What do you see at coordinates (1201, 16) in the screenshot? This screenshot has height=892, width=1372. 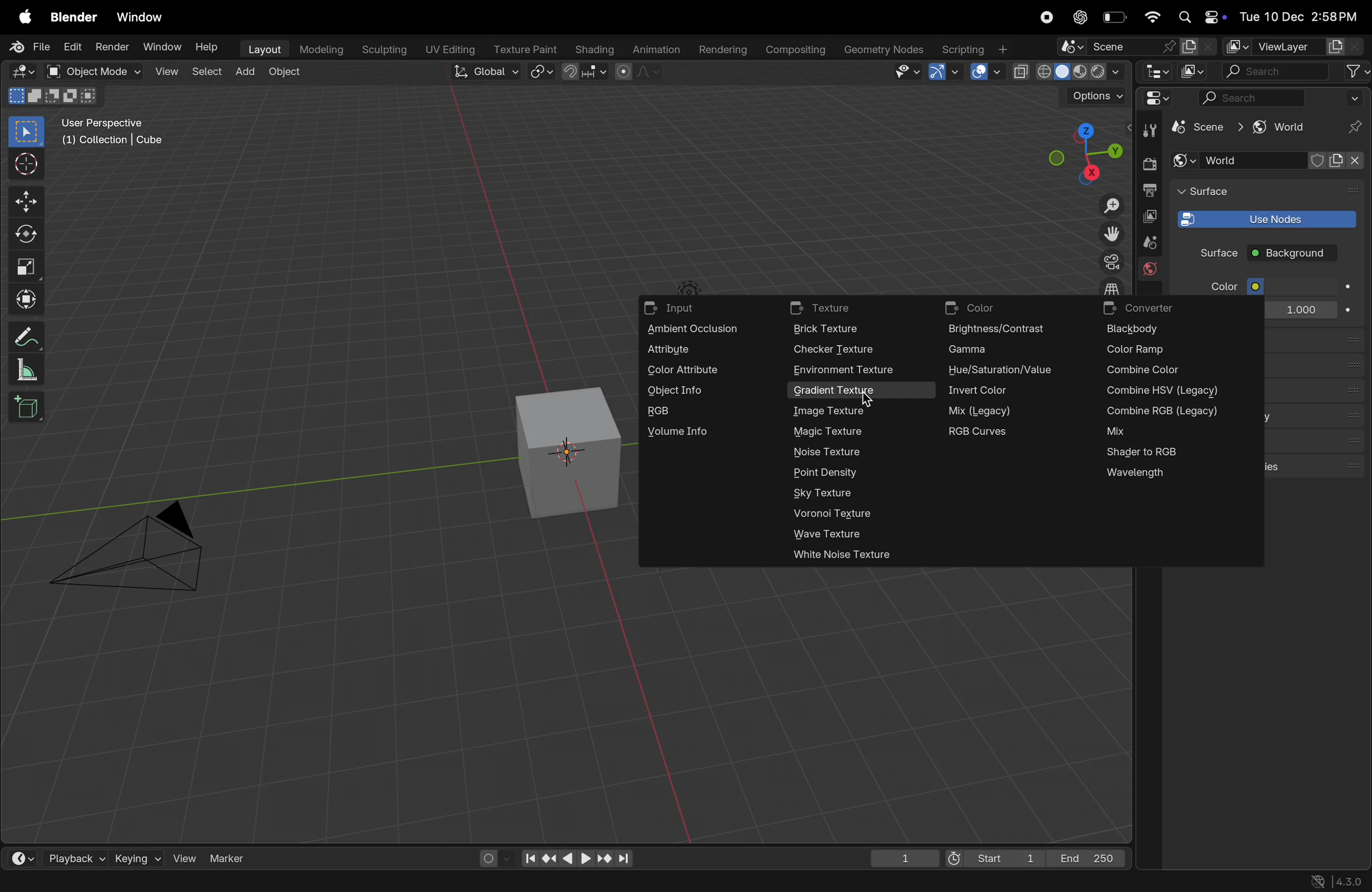 I see `Apple widgets` at bounding box center [1201, 16].